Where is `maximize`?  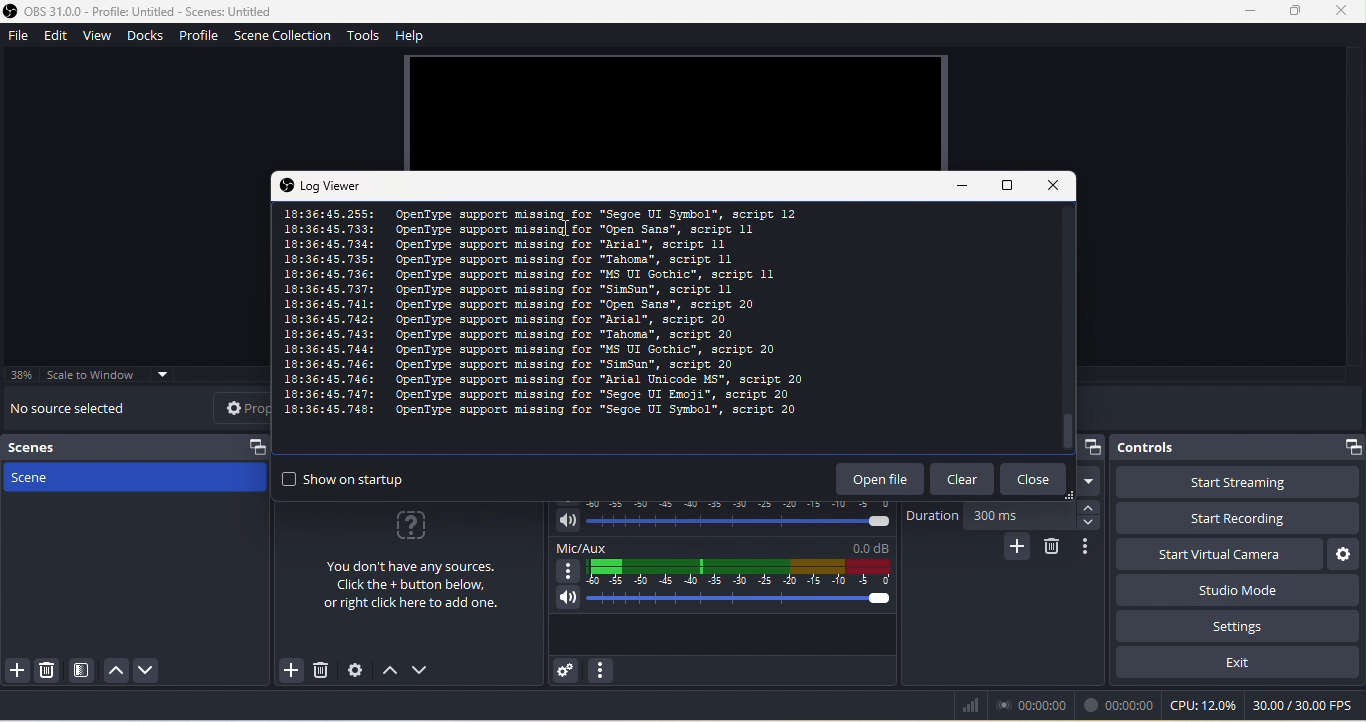
maximize is located at coordinates (1005, 185).